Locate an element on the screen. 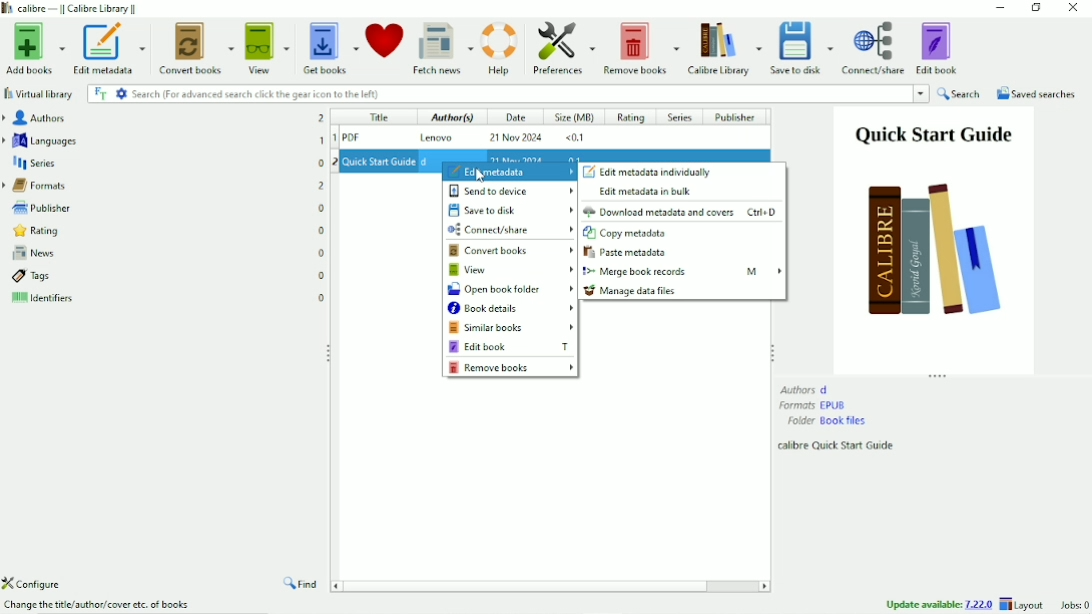 The image size is (1092, 614). calibre Quick Start Guide is located at coordinates (838, 446).